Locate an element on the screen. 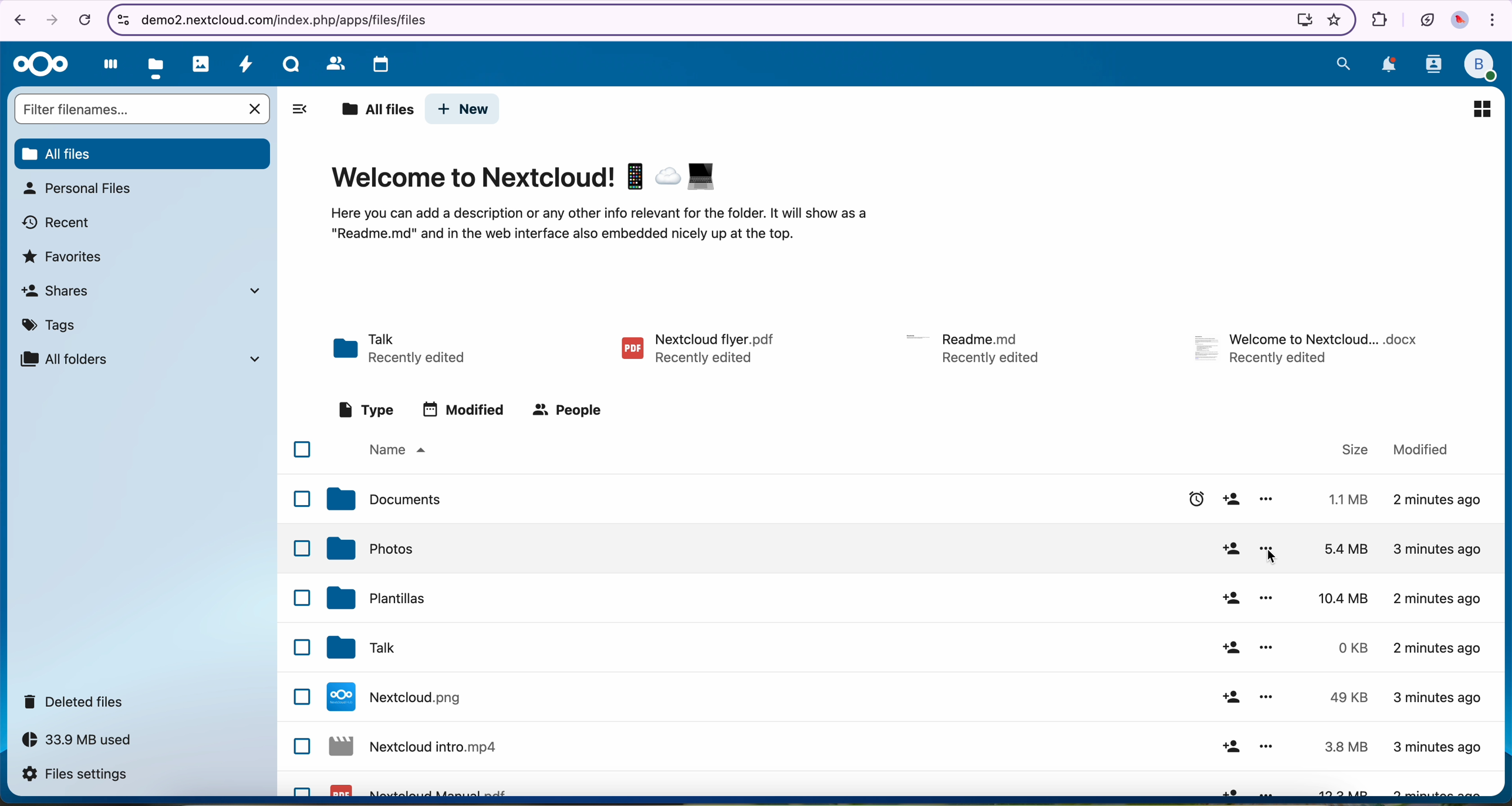 This screenshot has height=806, width=1512. tags is located at coordinates (49, 327).